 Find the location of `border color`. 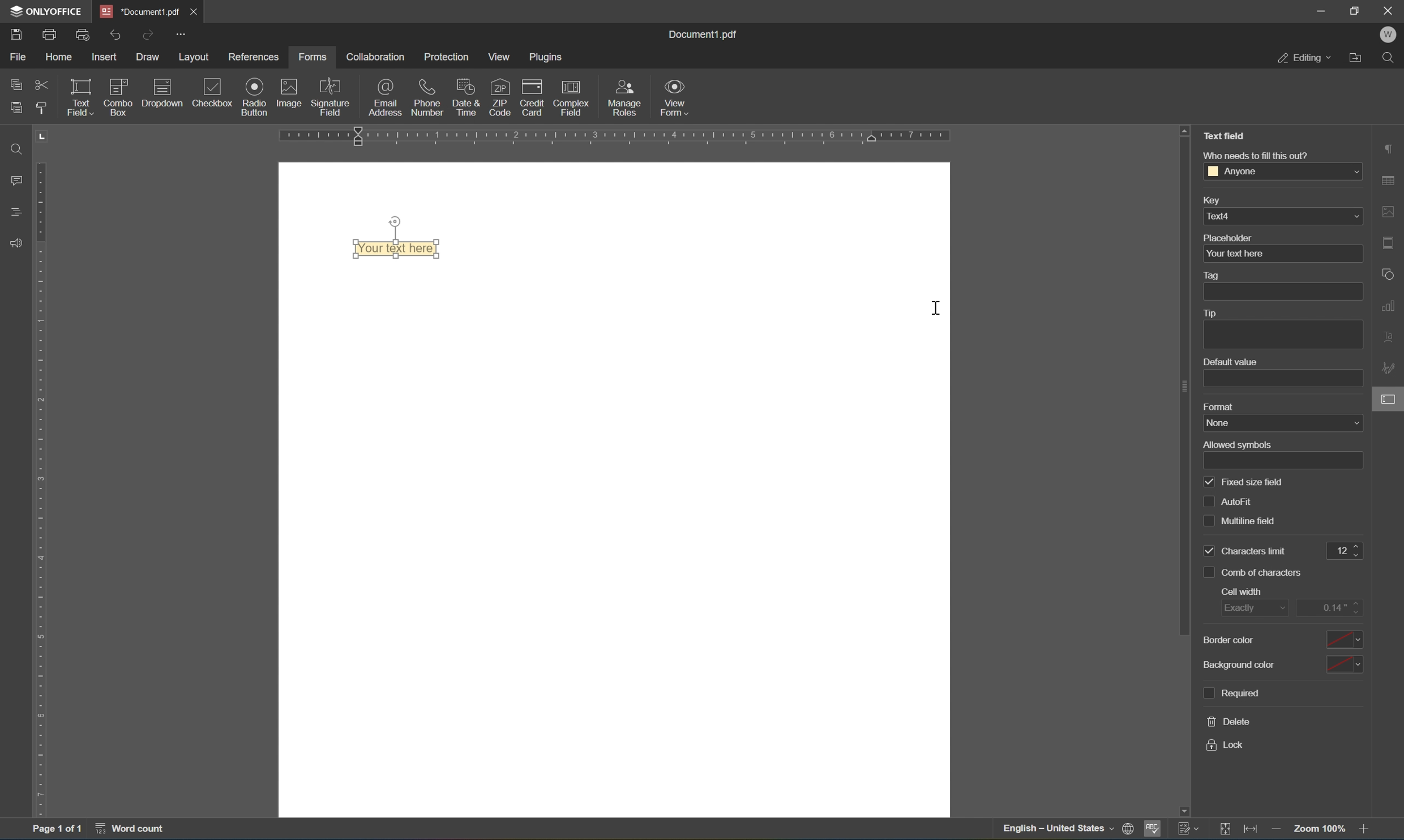

border color is located at coordinates (1281, 640).